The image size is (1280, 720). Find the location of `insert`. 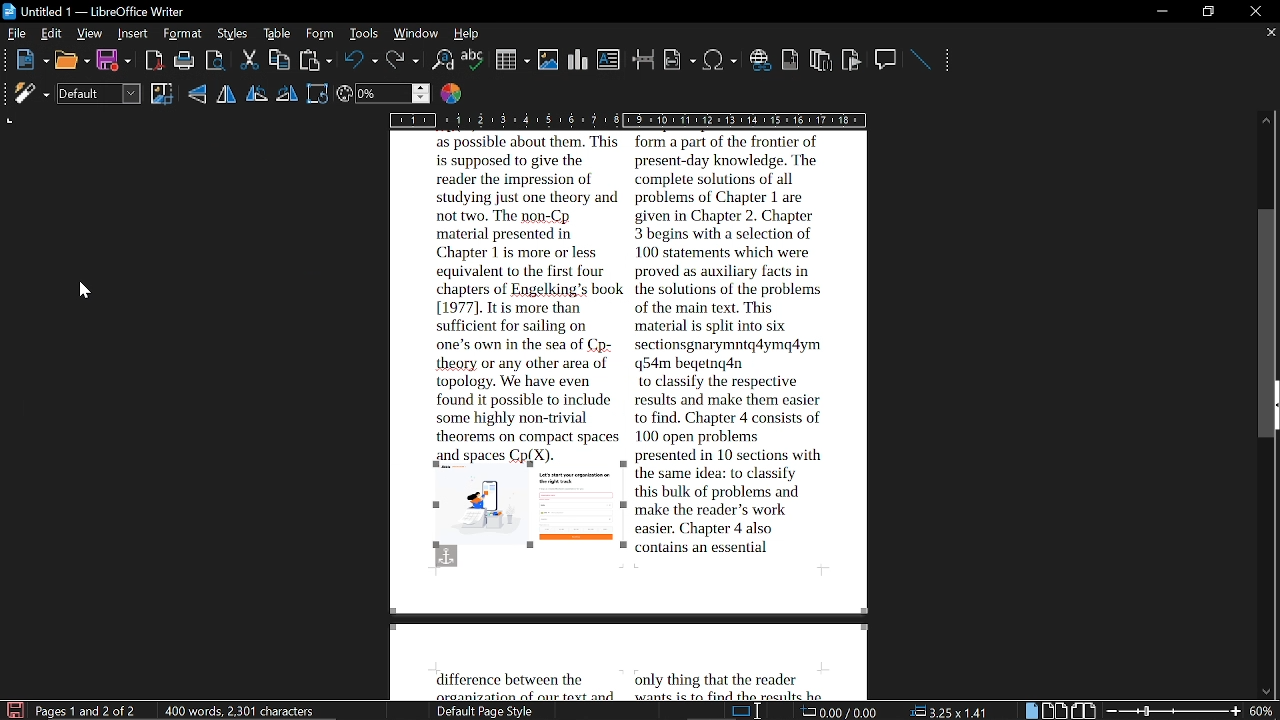

insert is located at coordinates (134, 34).